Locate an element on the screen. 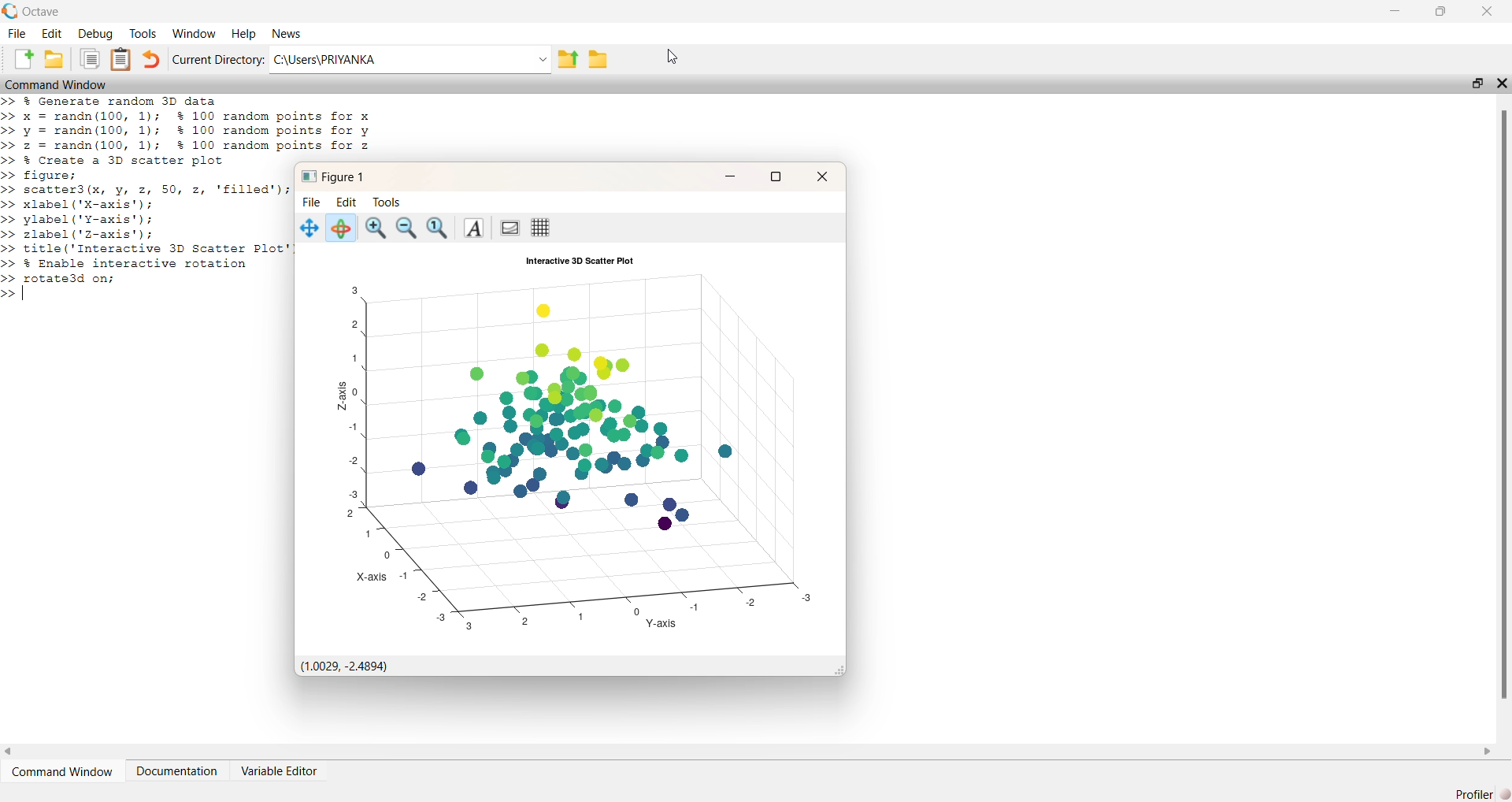 The image size is (1512, 802). clipboard is located at coordinates (90, 58).